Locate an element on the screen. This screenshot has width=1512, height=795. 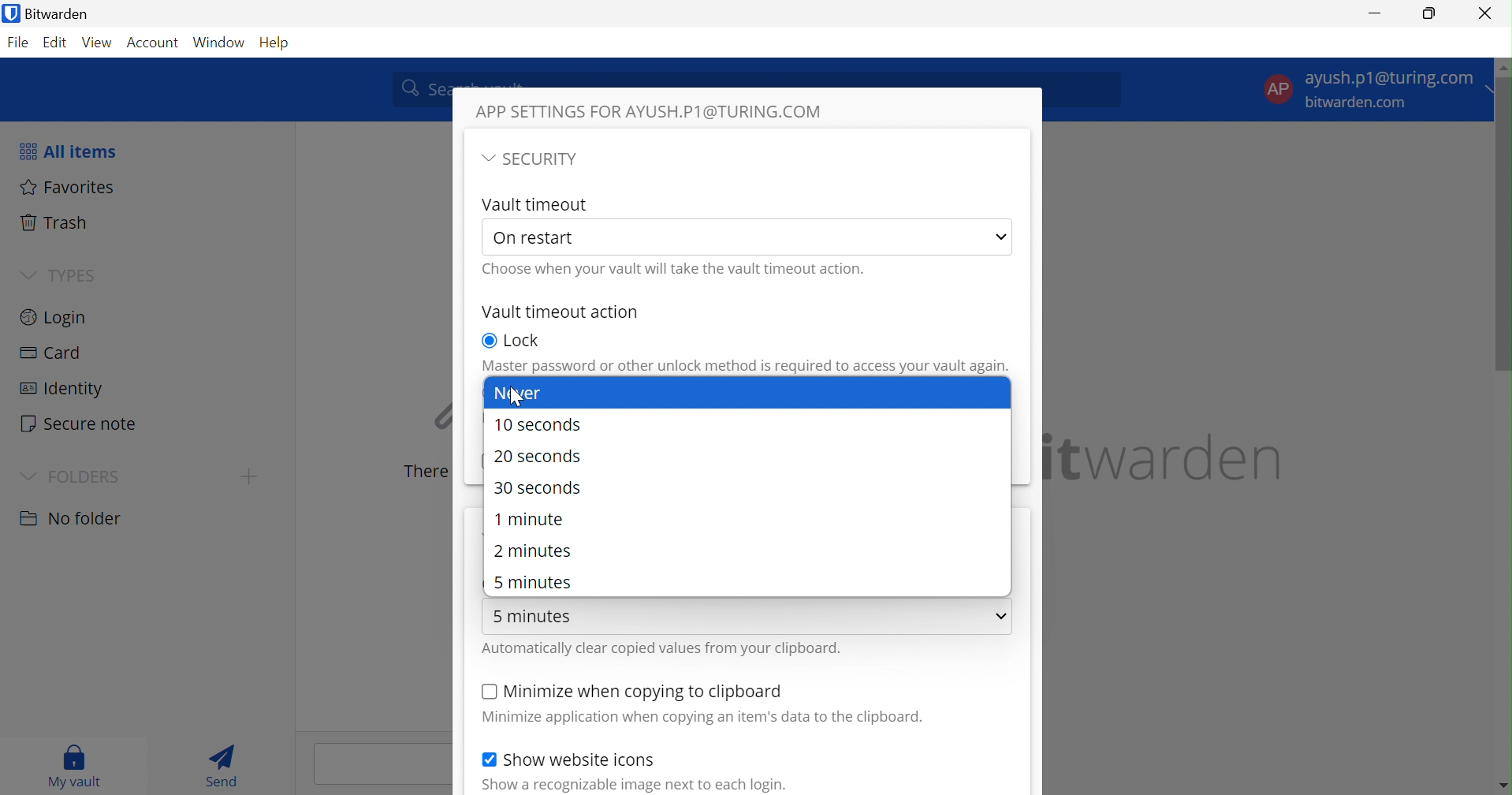
On restart is located at coordinates (541, 238).